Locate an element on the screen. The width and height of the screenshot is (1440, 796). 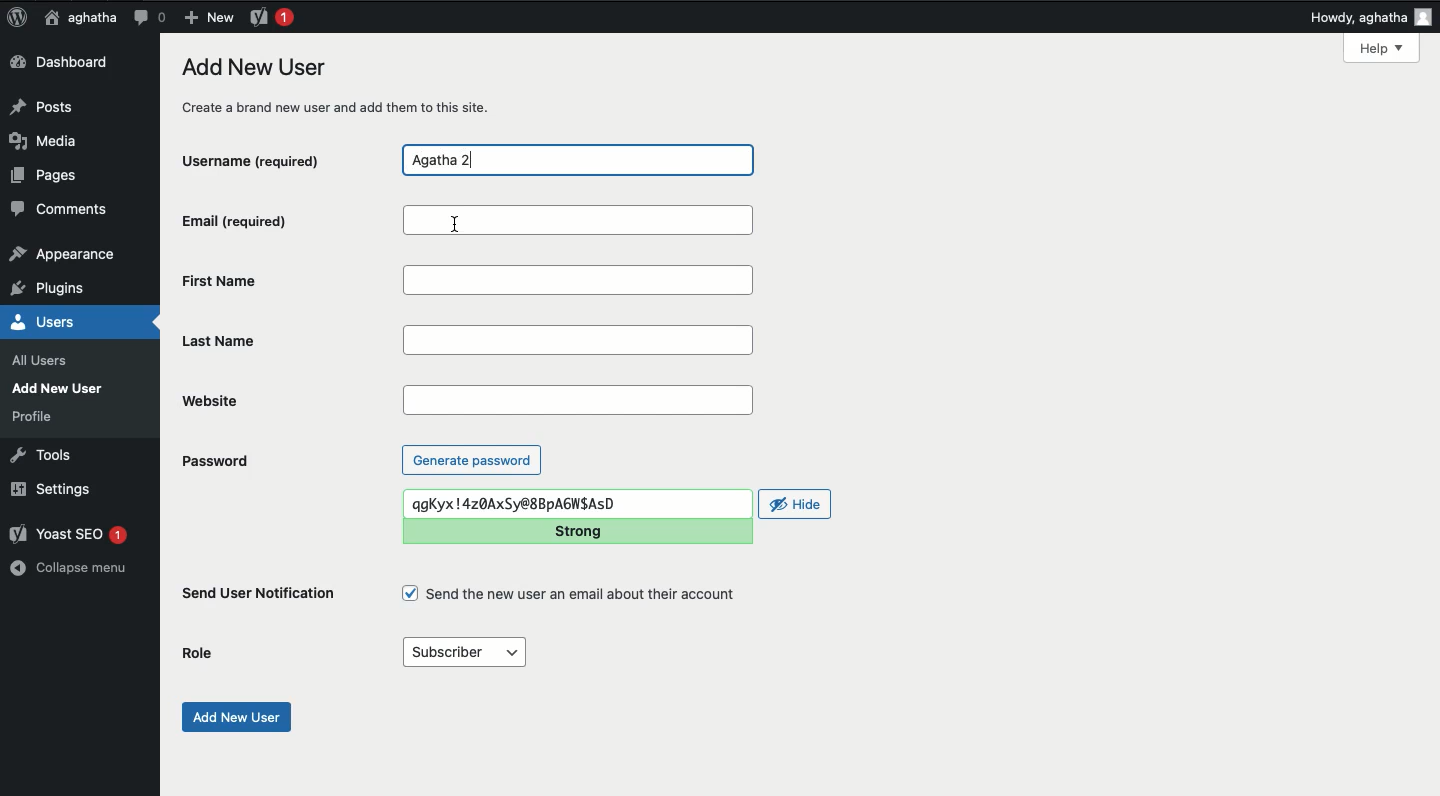
Pages is located at coordinates (50, 179).